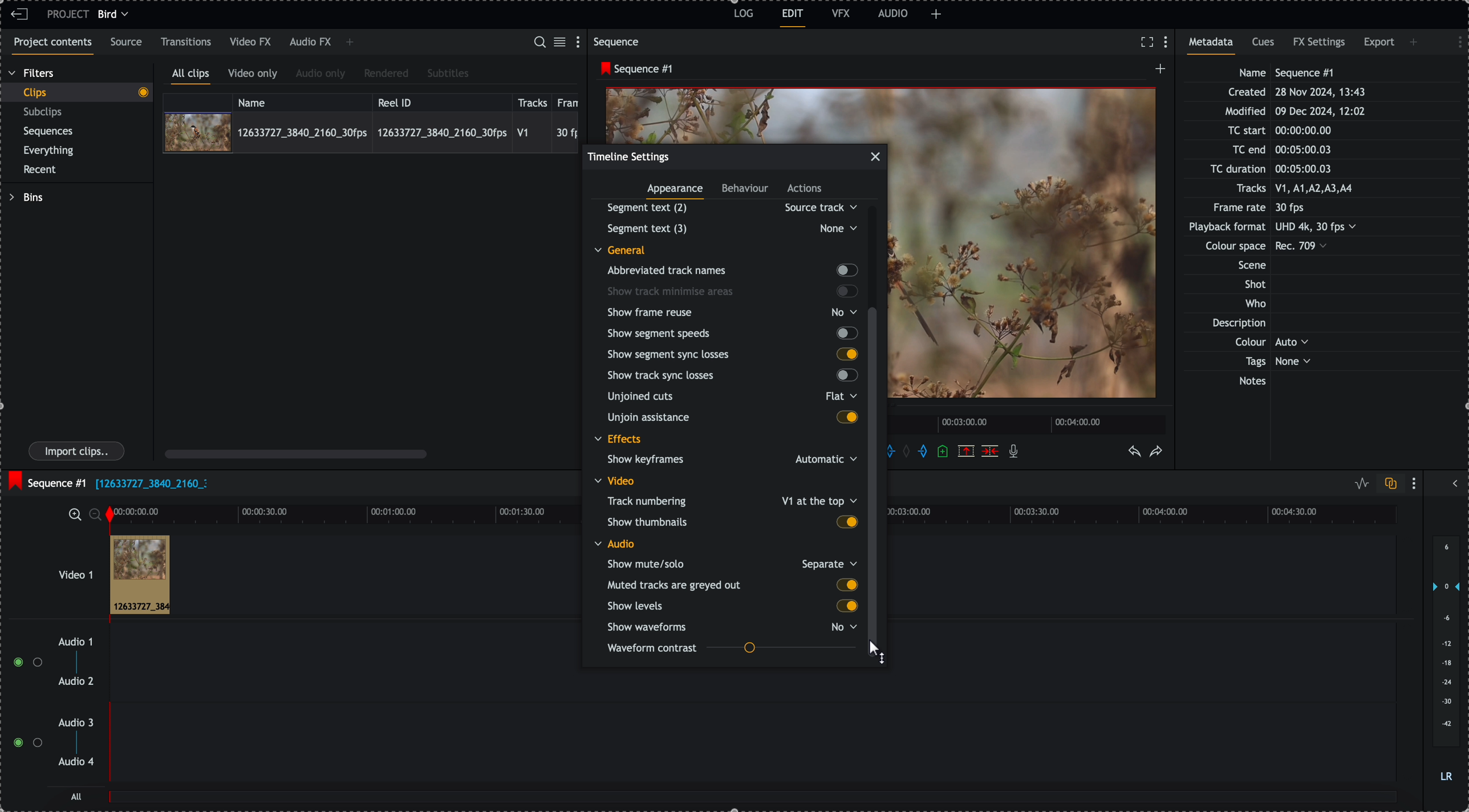  What do you see at coordinates (539, 43) in the screenshot?
I see `search for assets or bins` at bounding box center [539, 43].